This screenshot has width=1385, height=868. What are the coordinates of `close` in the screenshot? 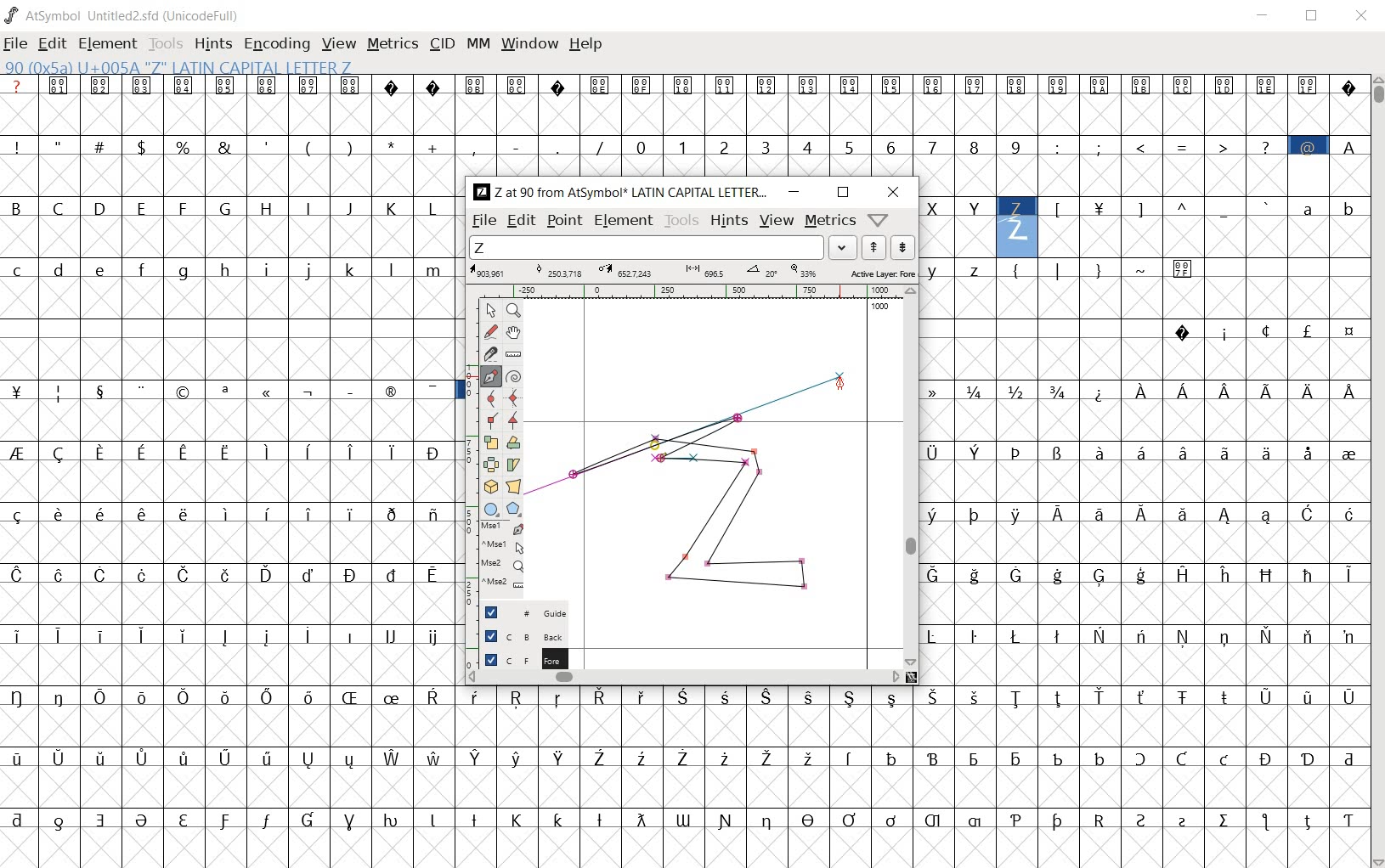 It's located at (1362, 14).